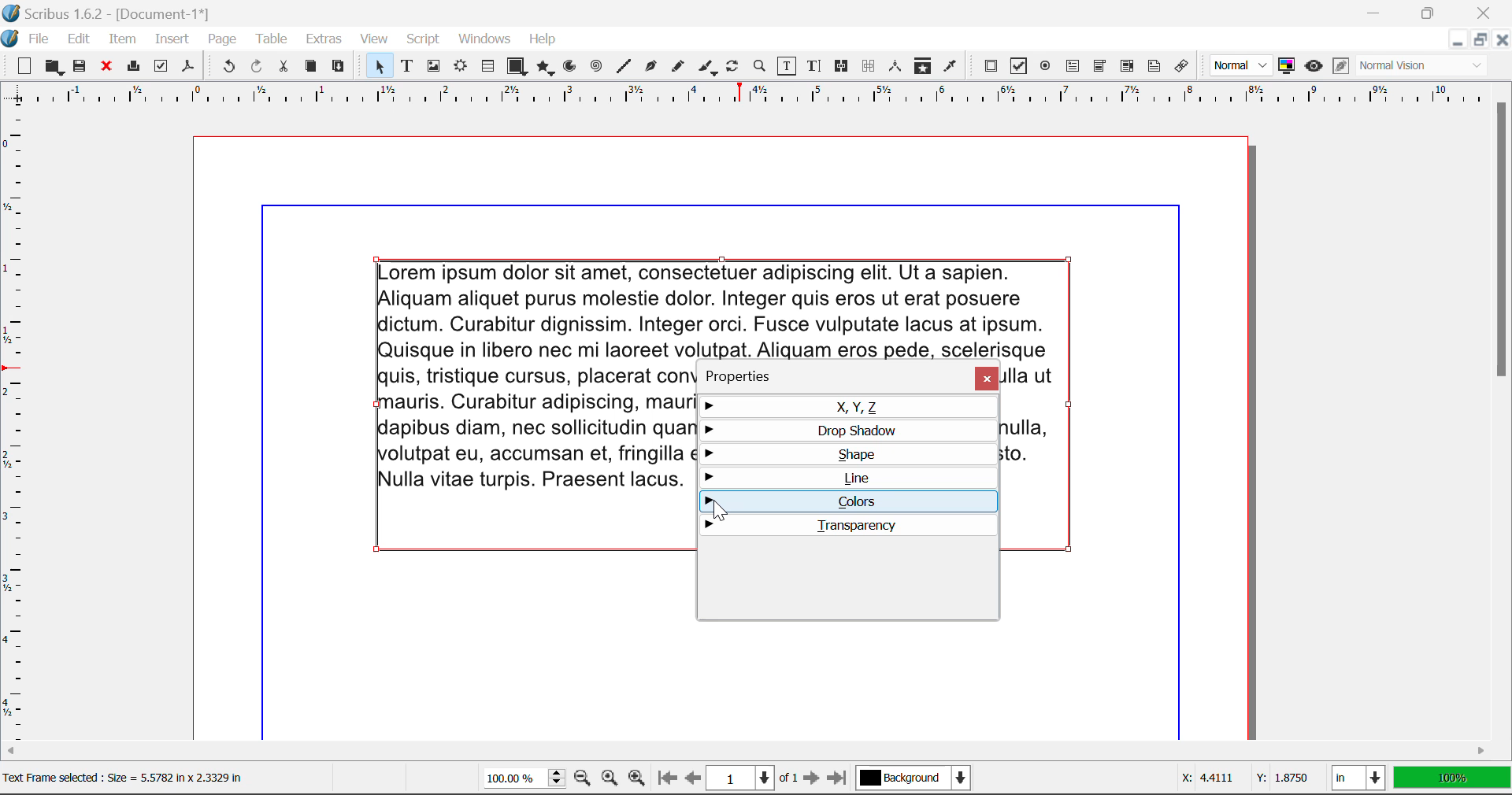 Image resolution: width=1512 pixels, height=795 pixels. Describe the element at coordinates (896, 66) in the screenshot. I see `Measurements` at that location.